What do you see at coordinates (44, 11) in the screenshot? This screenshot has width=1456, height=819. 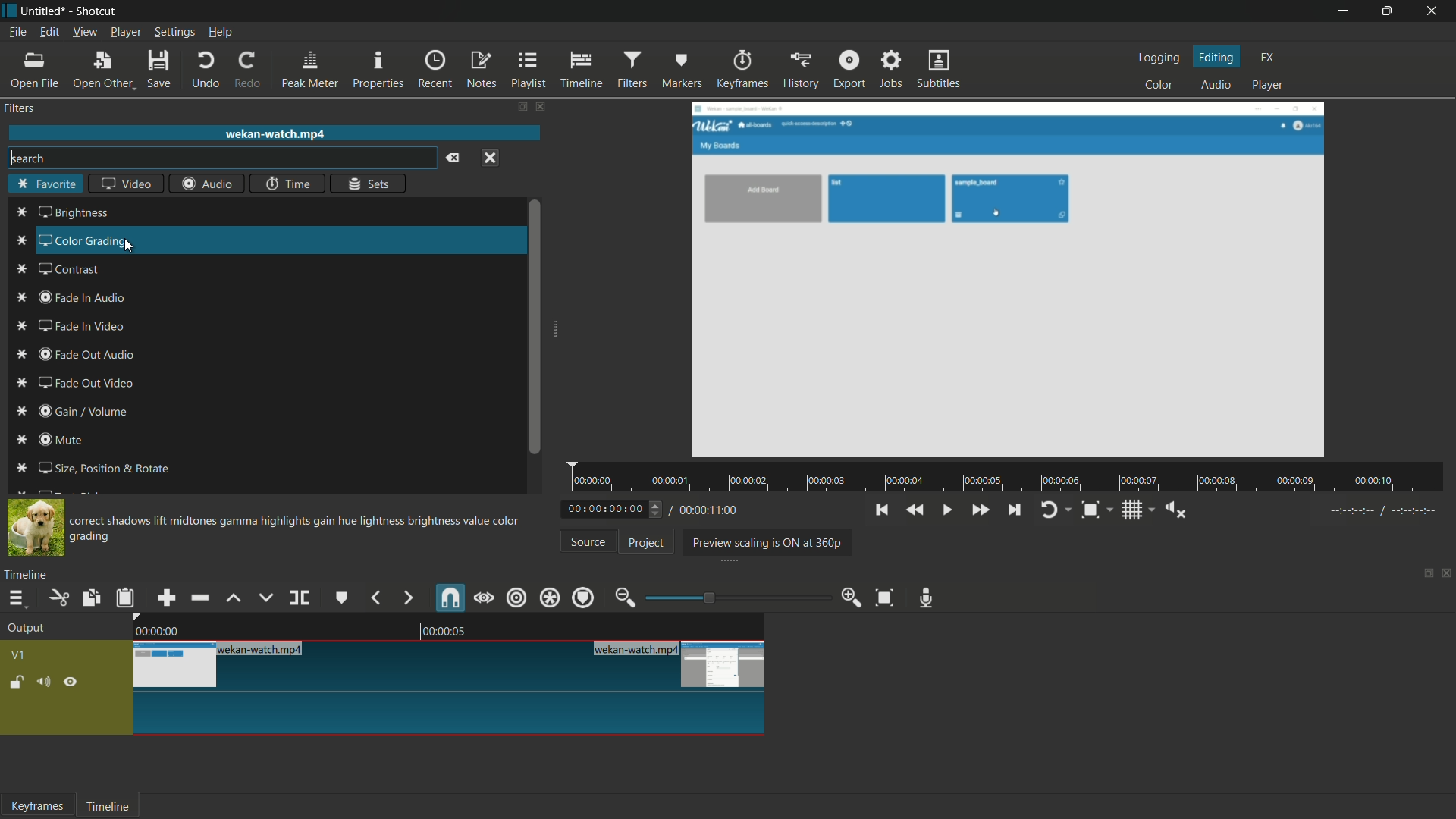 I see `project name` at bounding box center [44, 11].